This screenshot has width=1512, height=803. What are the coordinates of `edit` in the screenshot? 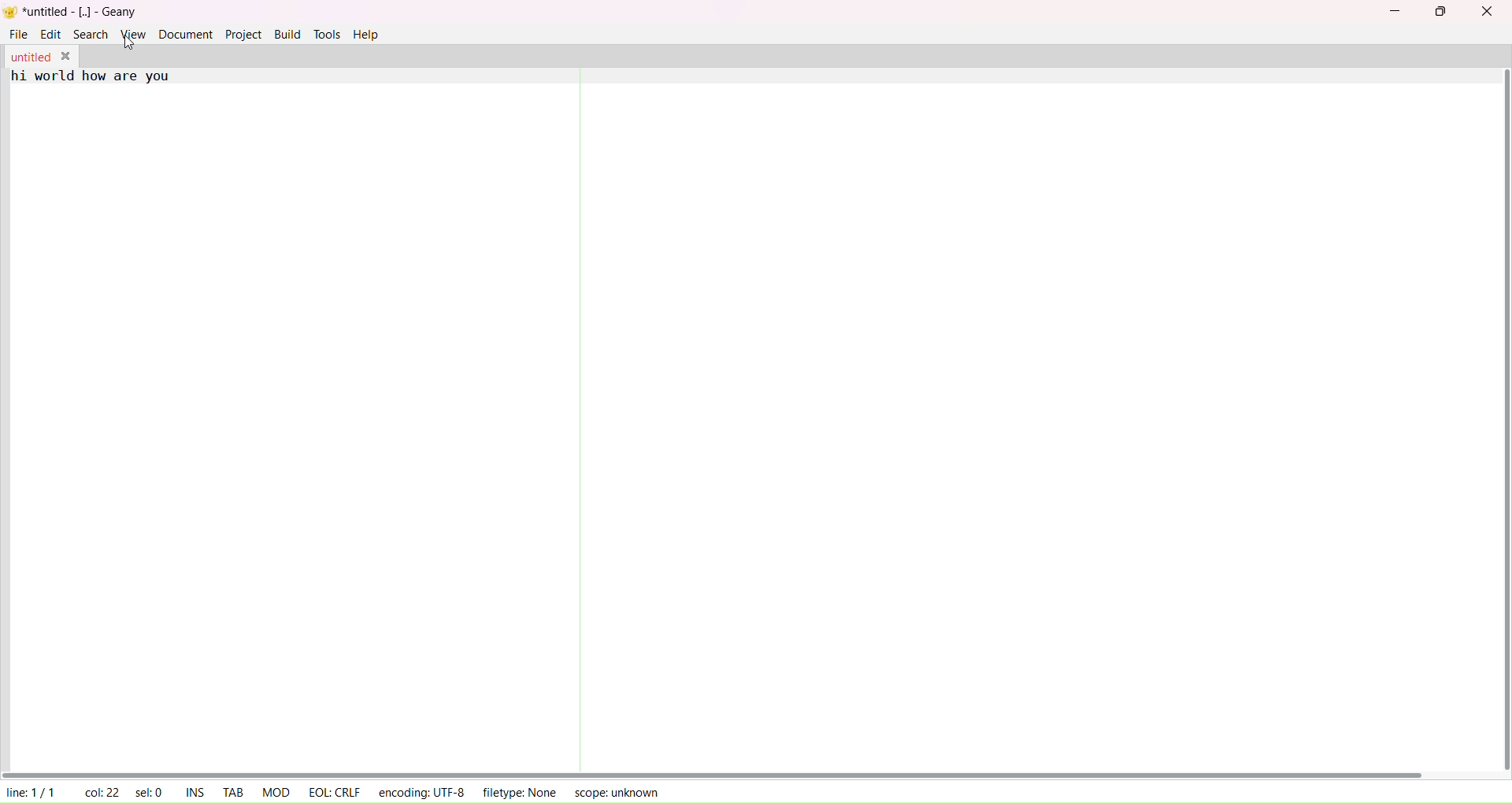 It's located at (50, 34).